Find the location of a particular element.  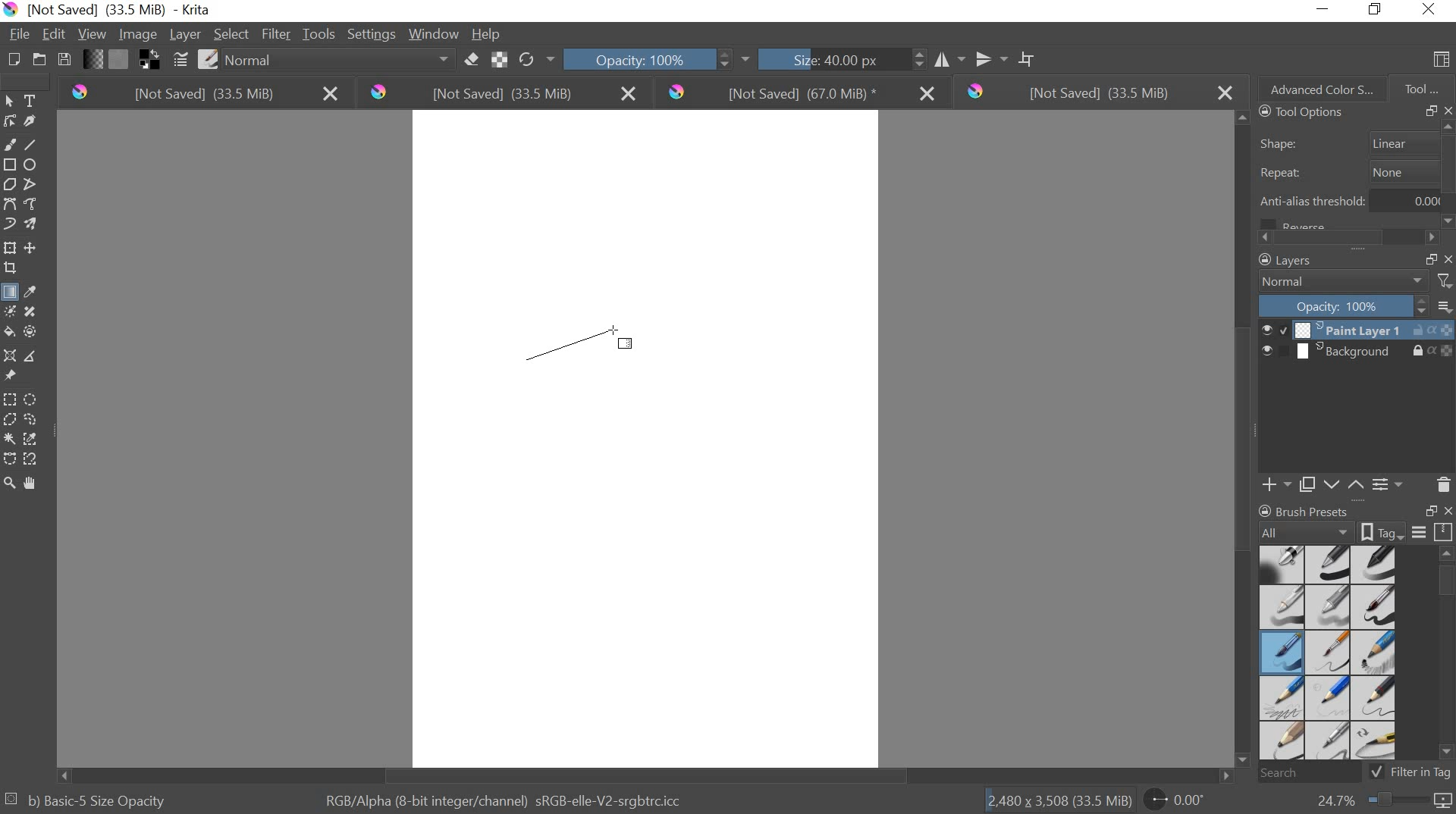

FILTERS is located at coordinates (1444, 280).